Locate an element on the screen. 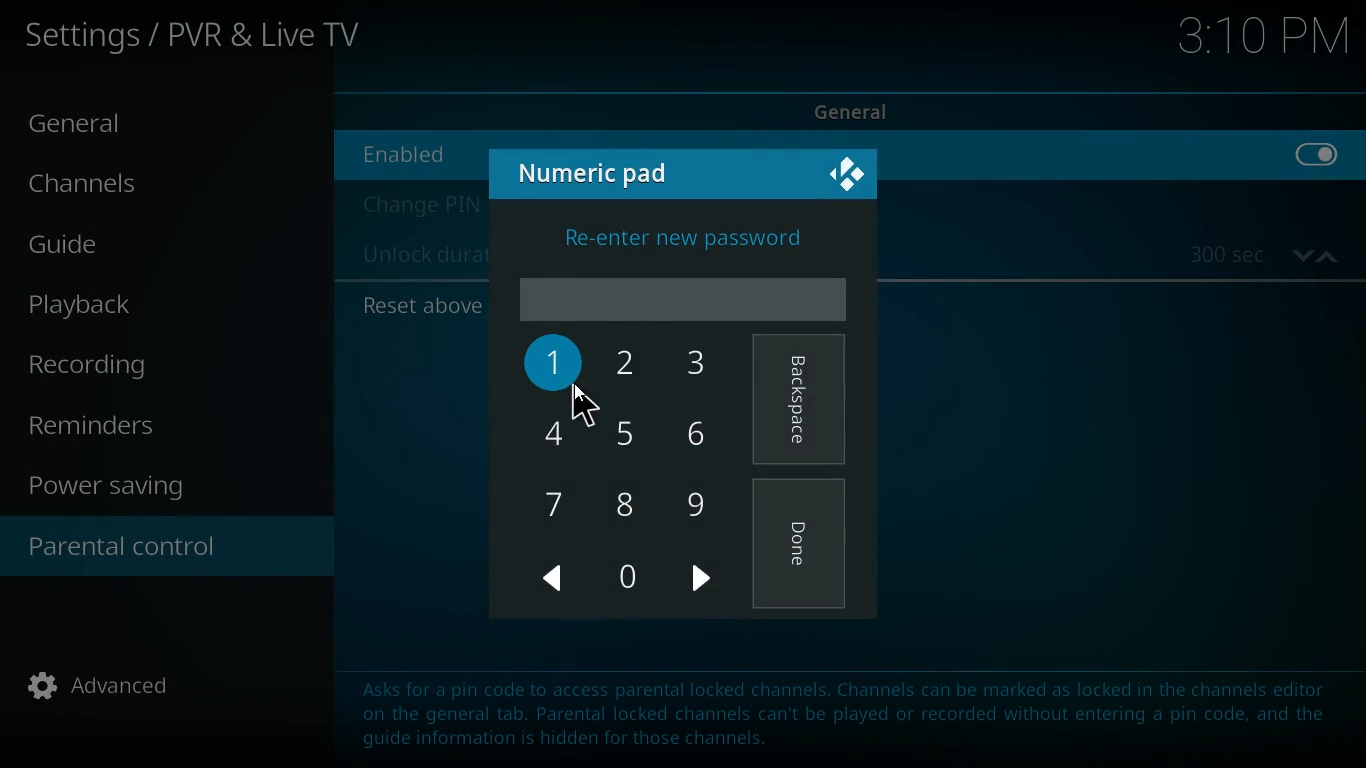  right is located at coordinates (704, 582).